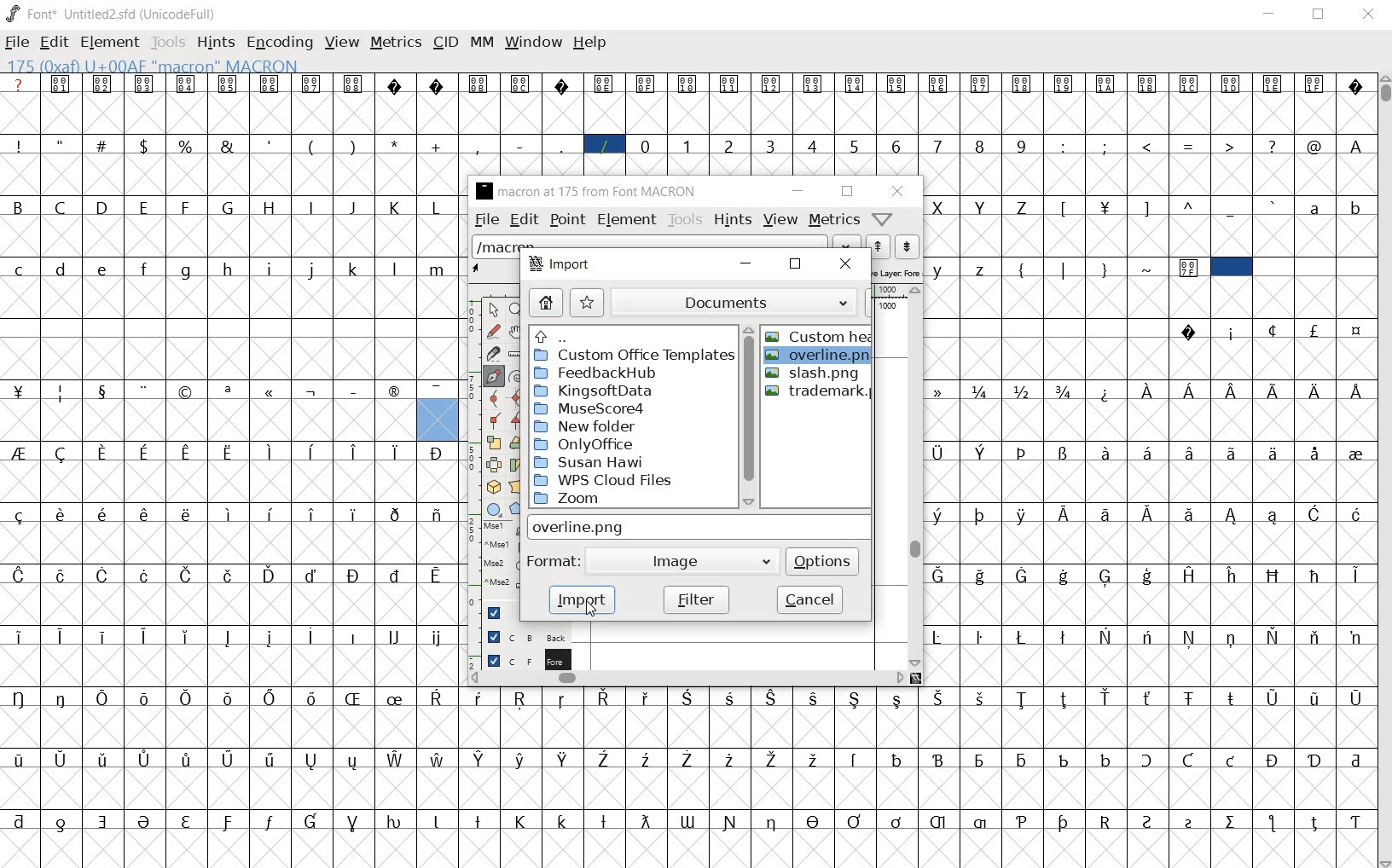 The height and width of the screenshot is (868, 1392). I want to click on Symbol, so click(523, 760).